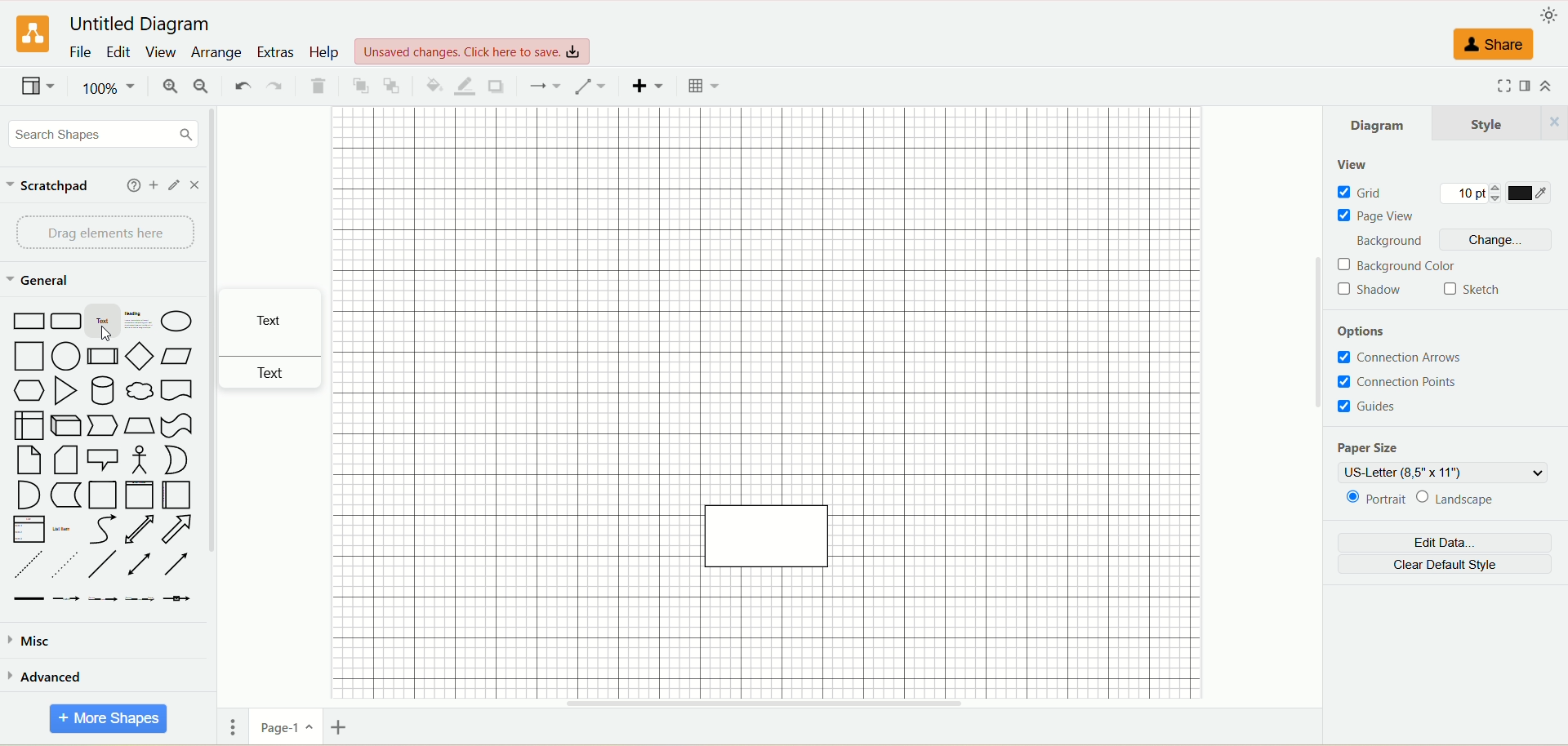 The image size is (1568, 746). What do you see at coordinates (1369, 500) in the screenshot?
I see `portrait` at bounding box center [1369, 500].